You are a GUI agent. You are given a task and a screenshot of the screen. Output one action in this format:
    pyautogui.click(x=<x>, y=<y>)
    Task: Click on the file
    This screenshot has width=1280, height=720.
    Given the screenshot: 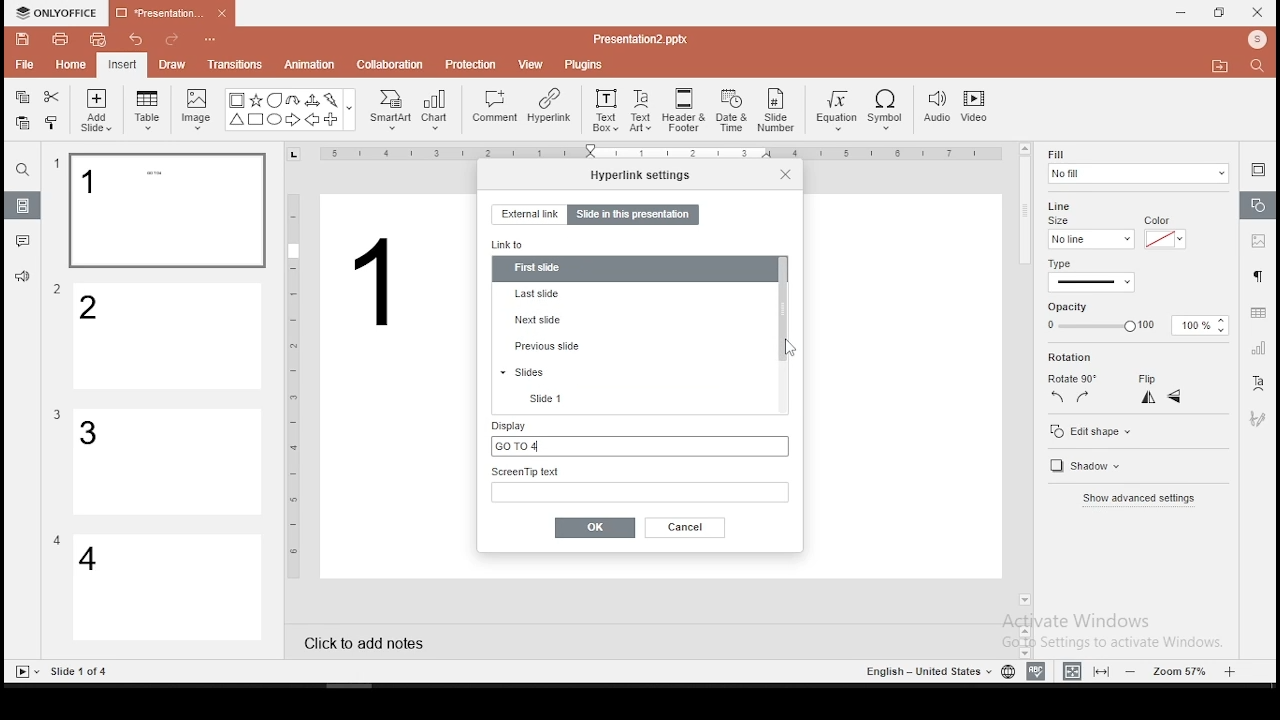 What is the action you would take?
    pyautogui.click(x=24, y=66)
    